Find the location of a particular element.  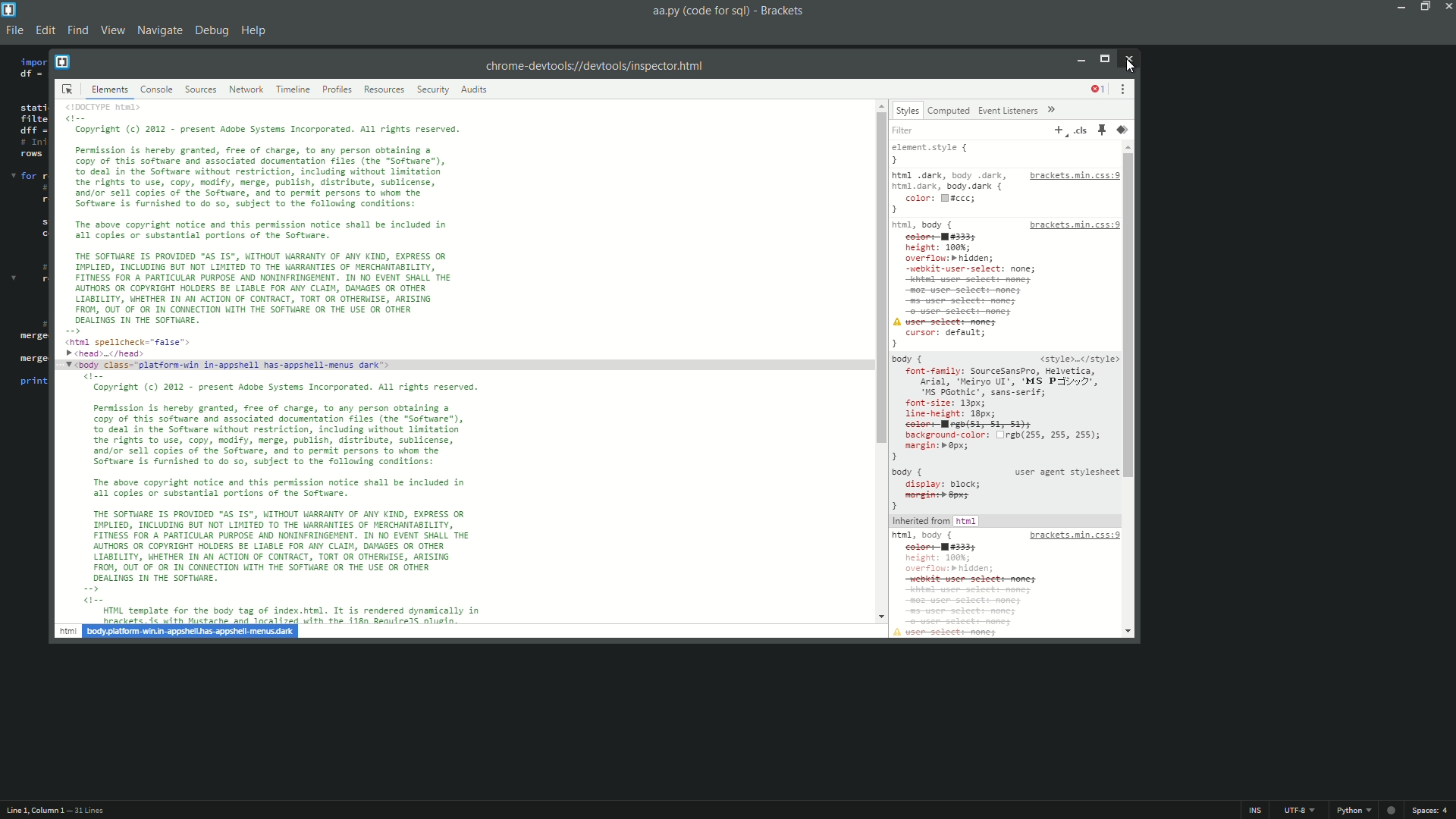

Inherited from ntm1
htal i brackets min.css:9
Wee
—ebeit son seloctinonet
a
SE —— is located at coordinates (1005, 576).